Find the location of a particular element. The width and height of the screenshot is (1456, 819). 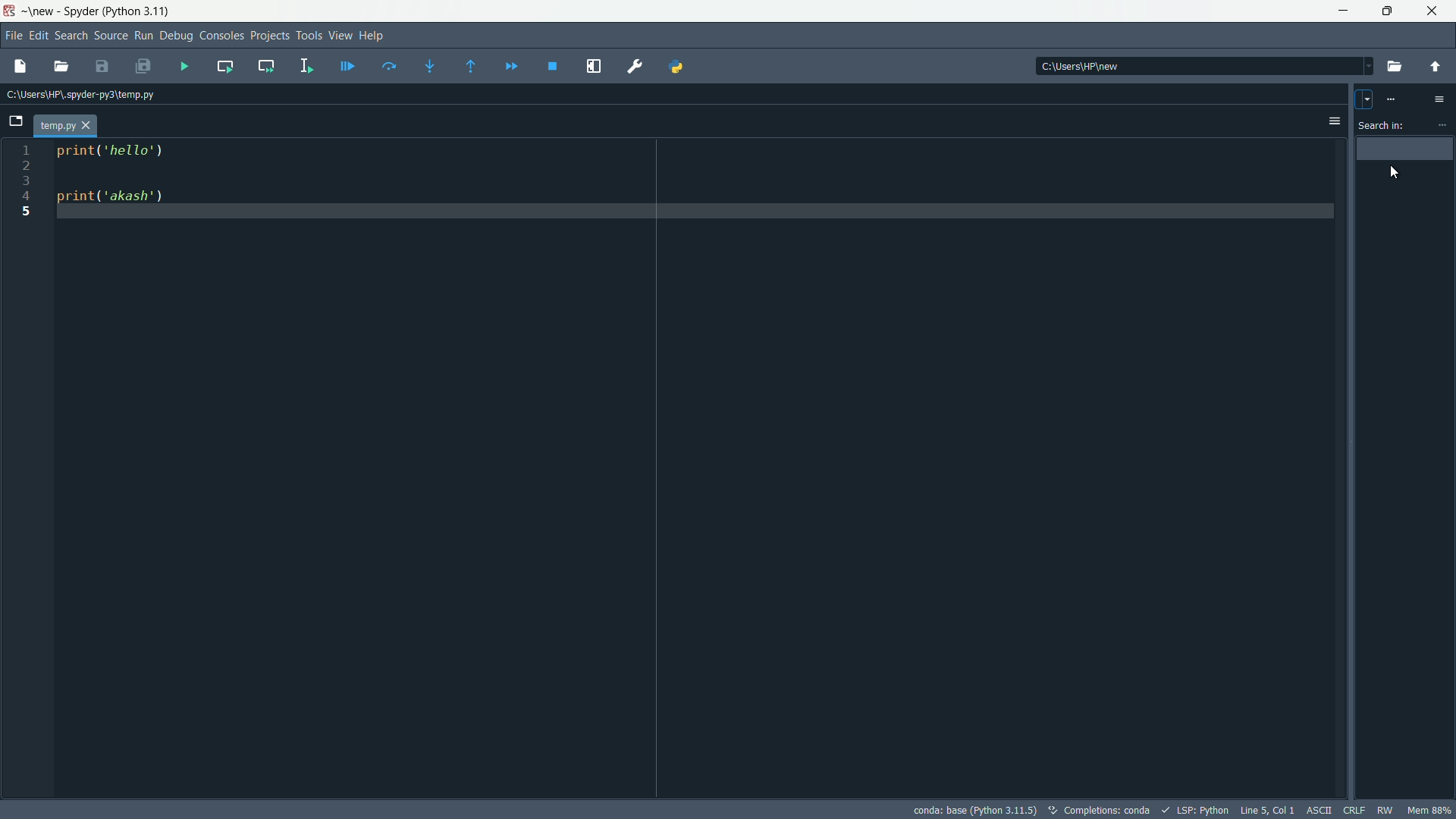

new is located at coordinates (40, 11).